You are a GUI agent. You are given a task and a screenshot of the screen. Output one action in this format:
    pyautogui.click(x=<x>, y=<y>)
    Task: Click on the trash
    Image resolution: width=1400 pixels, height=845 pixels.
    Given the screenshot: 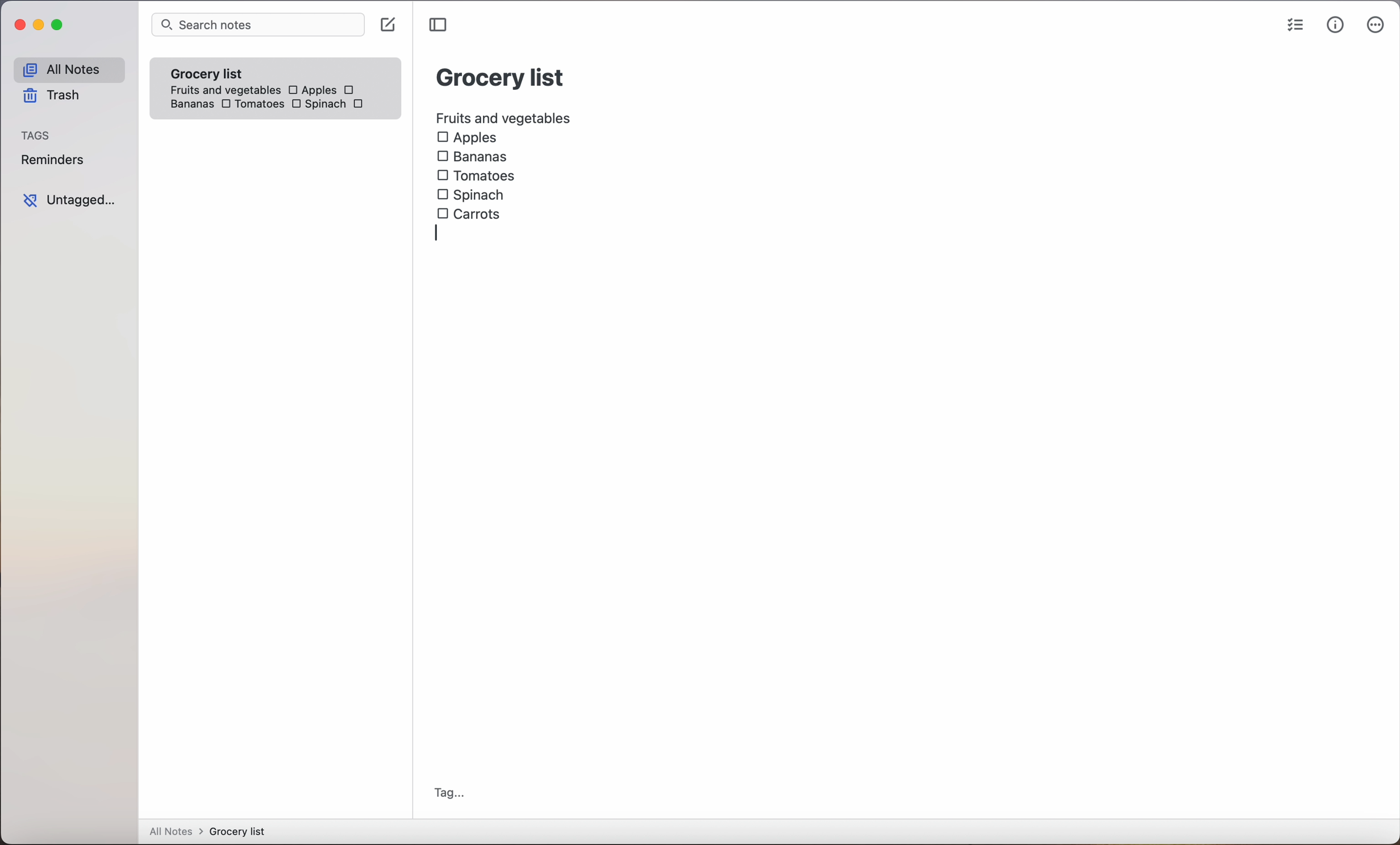 What is the action you would take?
    pyautogui.click(x=50, y=98)
    